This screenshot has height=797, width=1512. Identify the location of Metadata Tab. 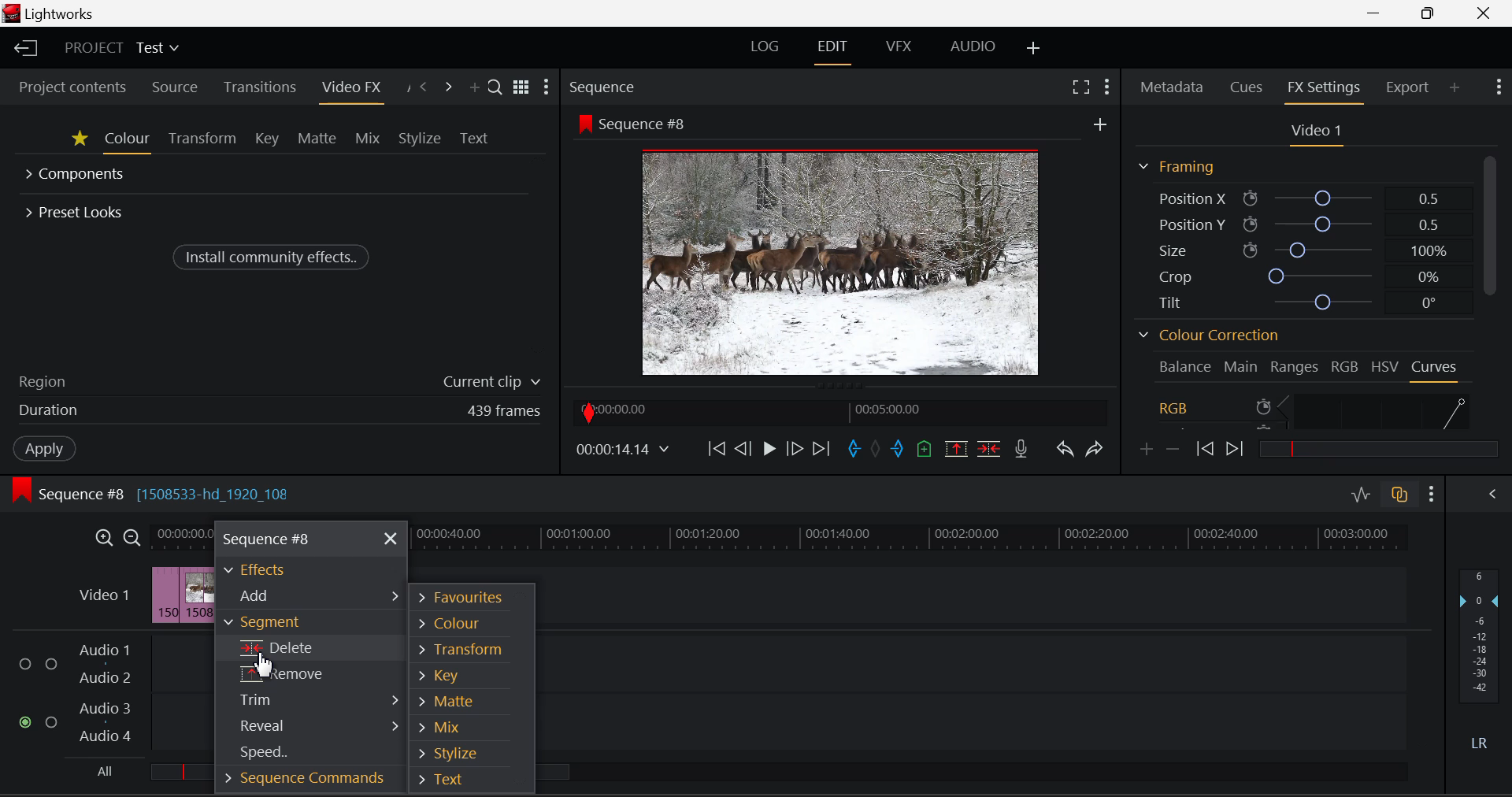
(1171, 89).